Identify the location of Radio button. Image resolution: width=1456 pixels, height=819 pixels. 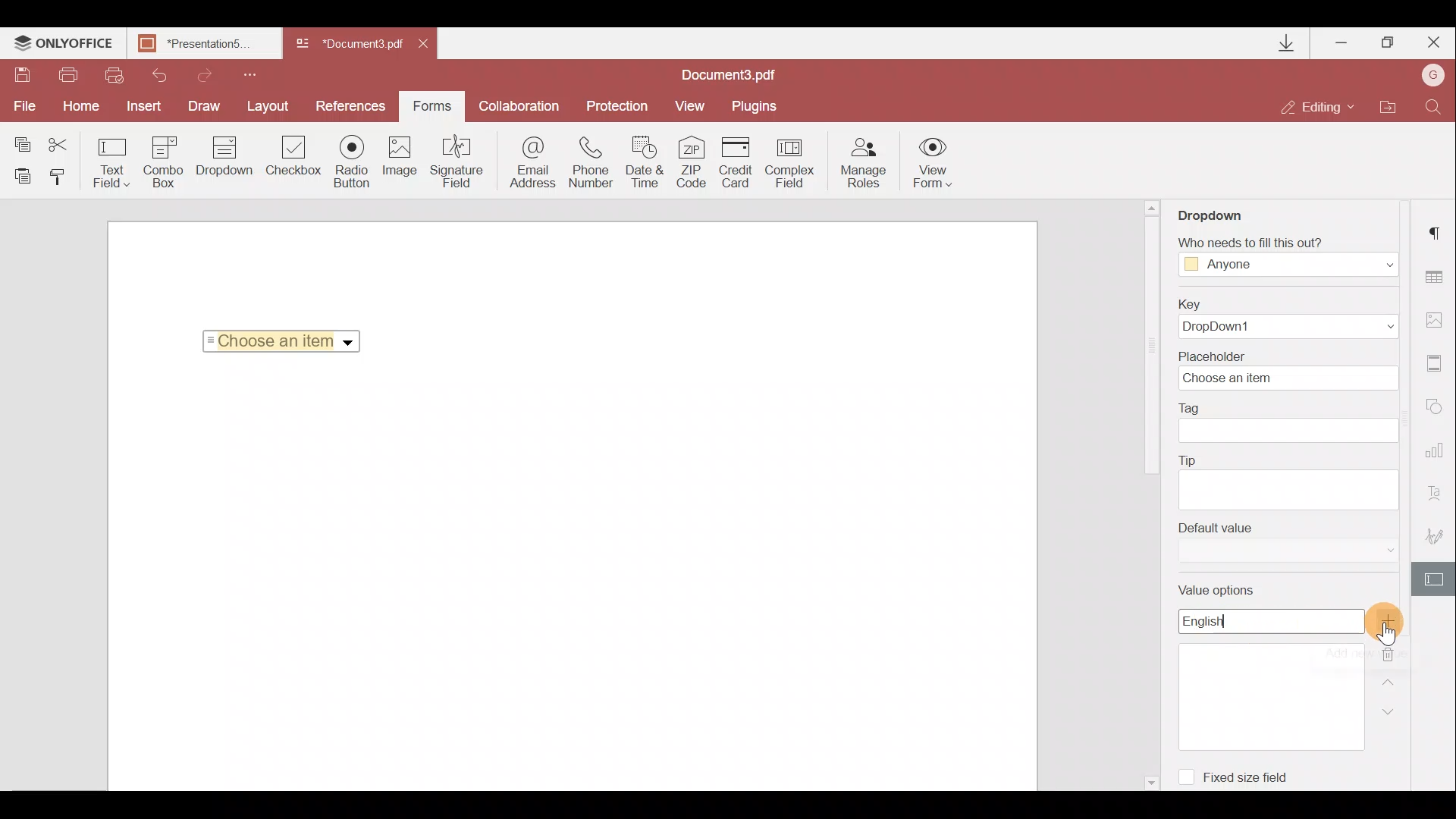
(352, 161).